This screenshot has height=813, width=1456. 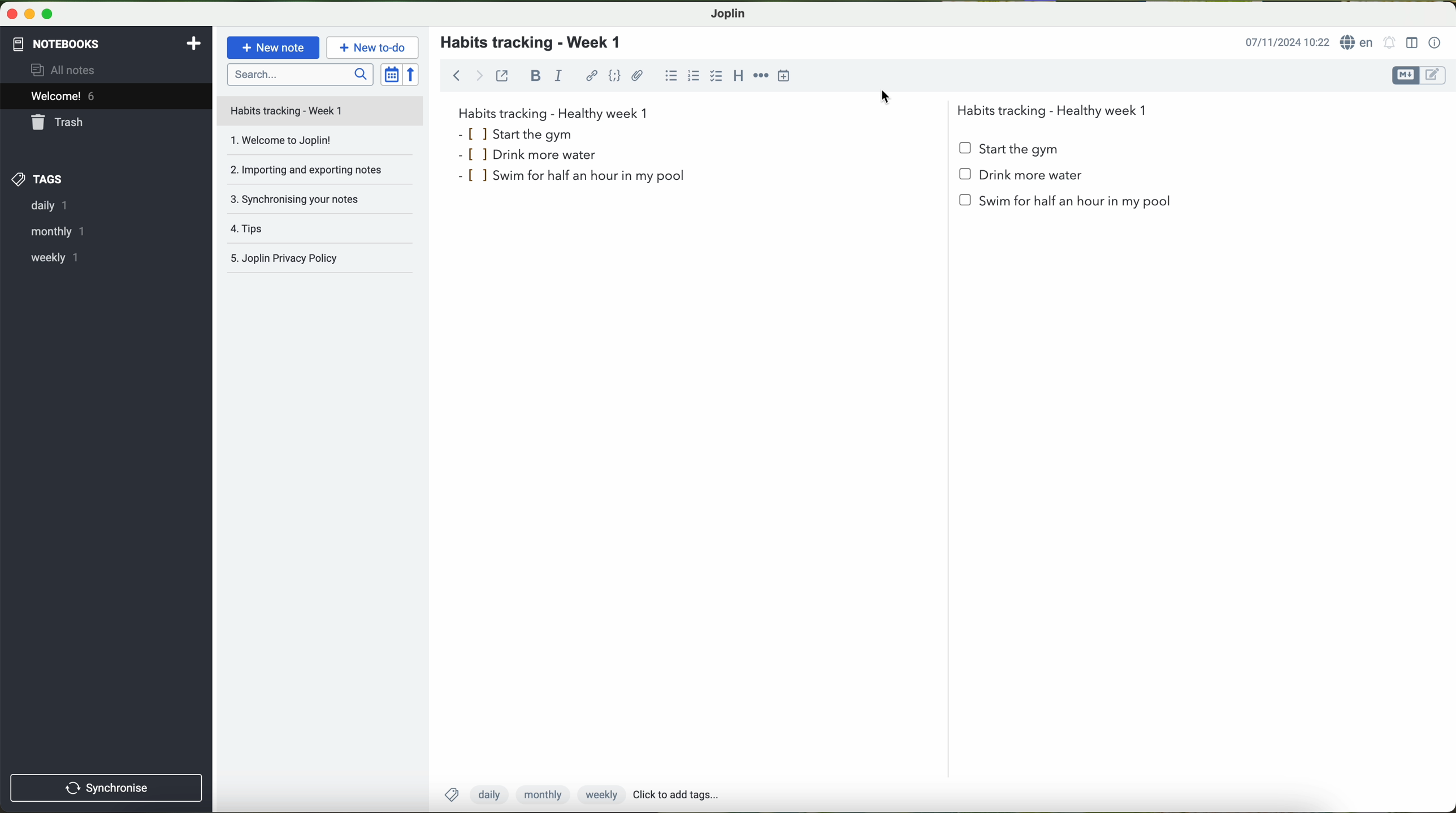 I want to click on swim for half an hour in my pool, so click(x=1067, y=205).